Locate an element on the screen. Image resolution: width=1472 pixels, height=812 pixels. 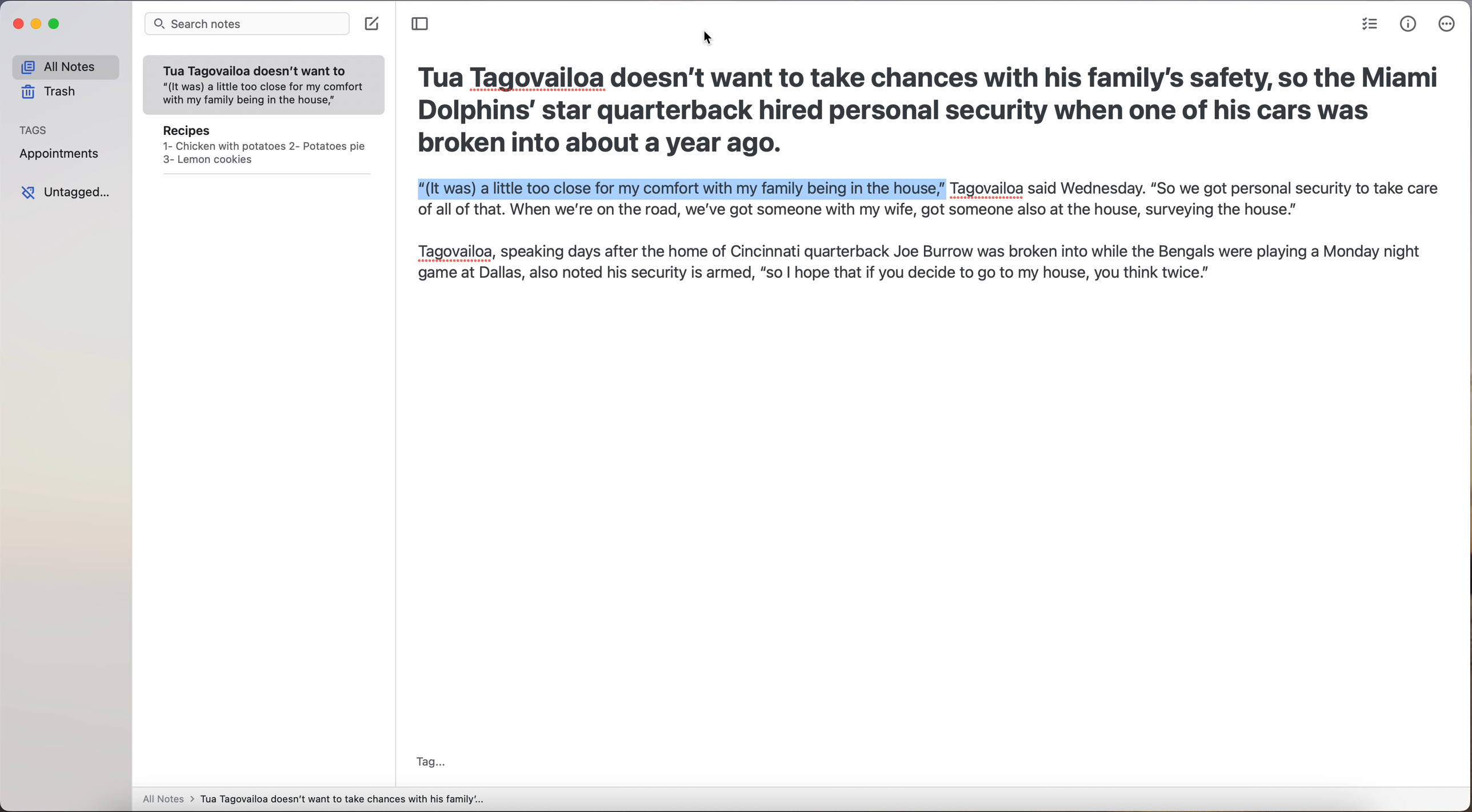
check list is located at coordinates (1370, 24).